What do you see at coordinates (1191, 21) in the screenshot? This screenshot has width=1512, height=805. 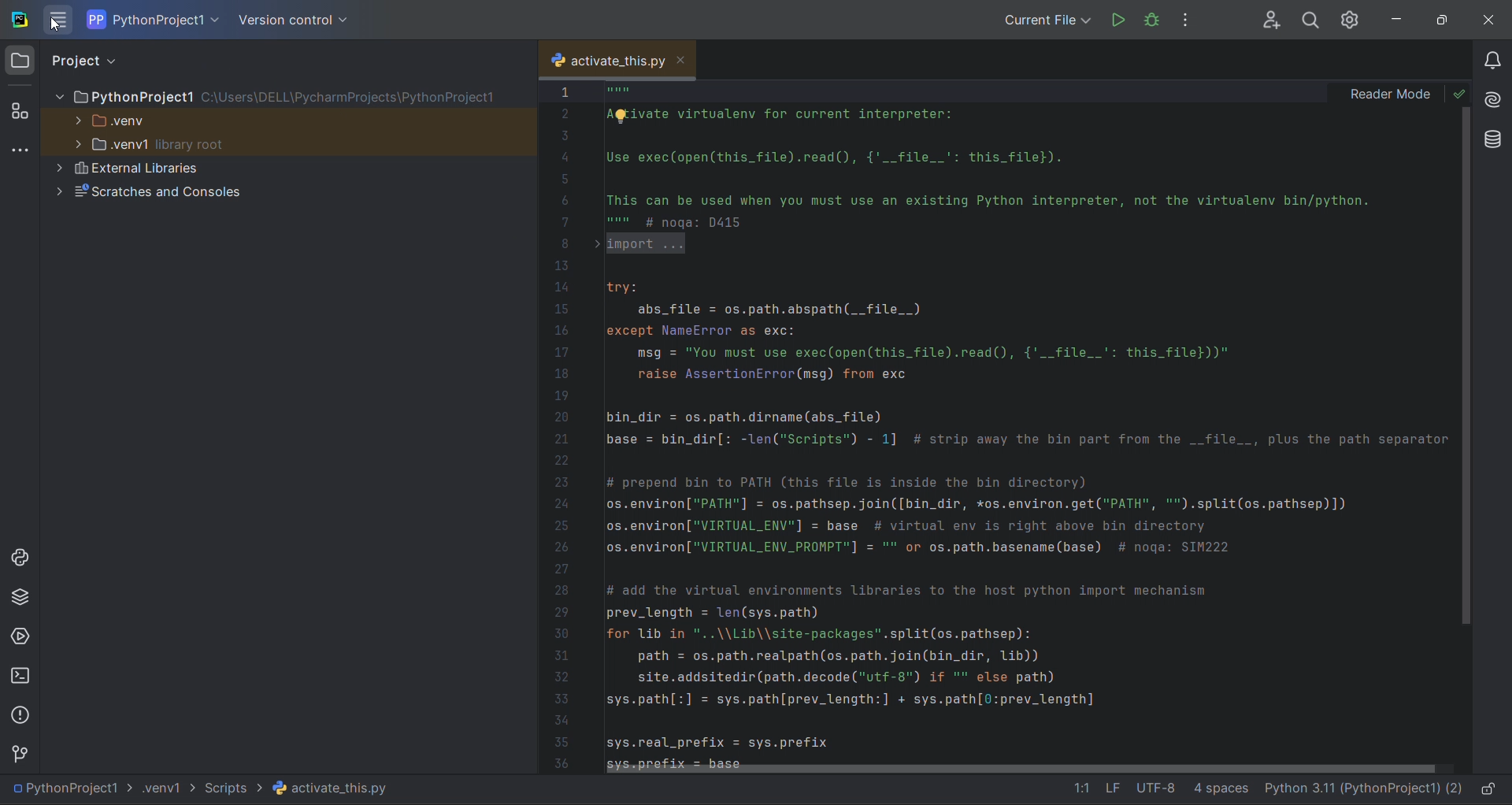 I see `options` at bounding box center [1191, 21].